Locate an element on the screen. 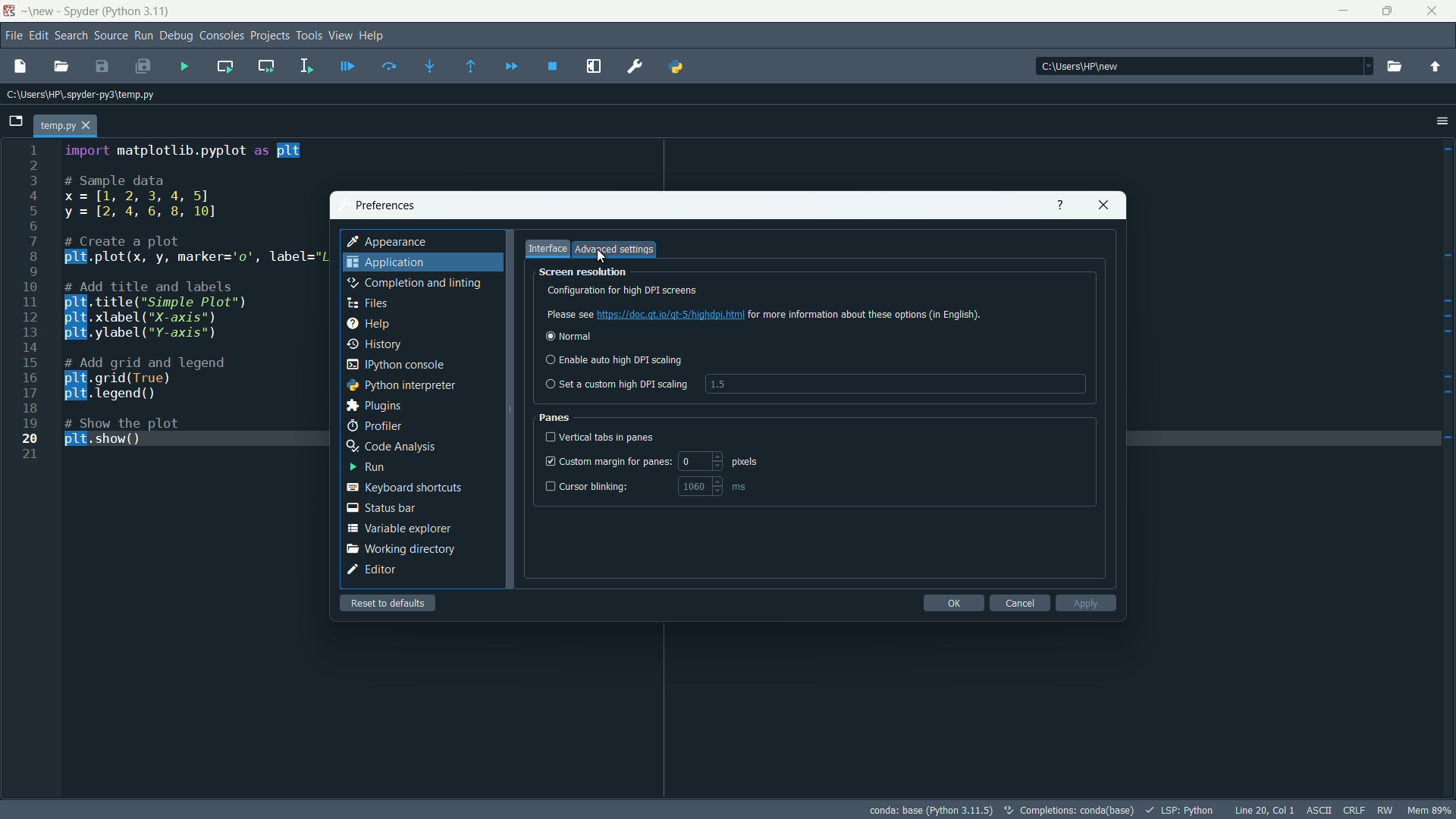 Image resolution: width=1456 pixels, height=819 pixels. run file is located at coordinates (185, 67).